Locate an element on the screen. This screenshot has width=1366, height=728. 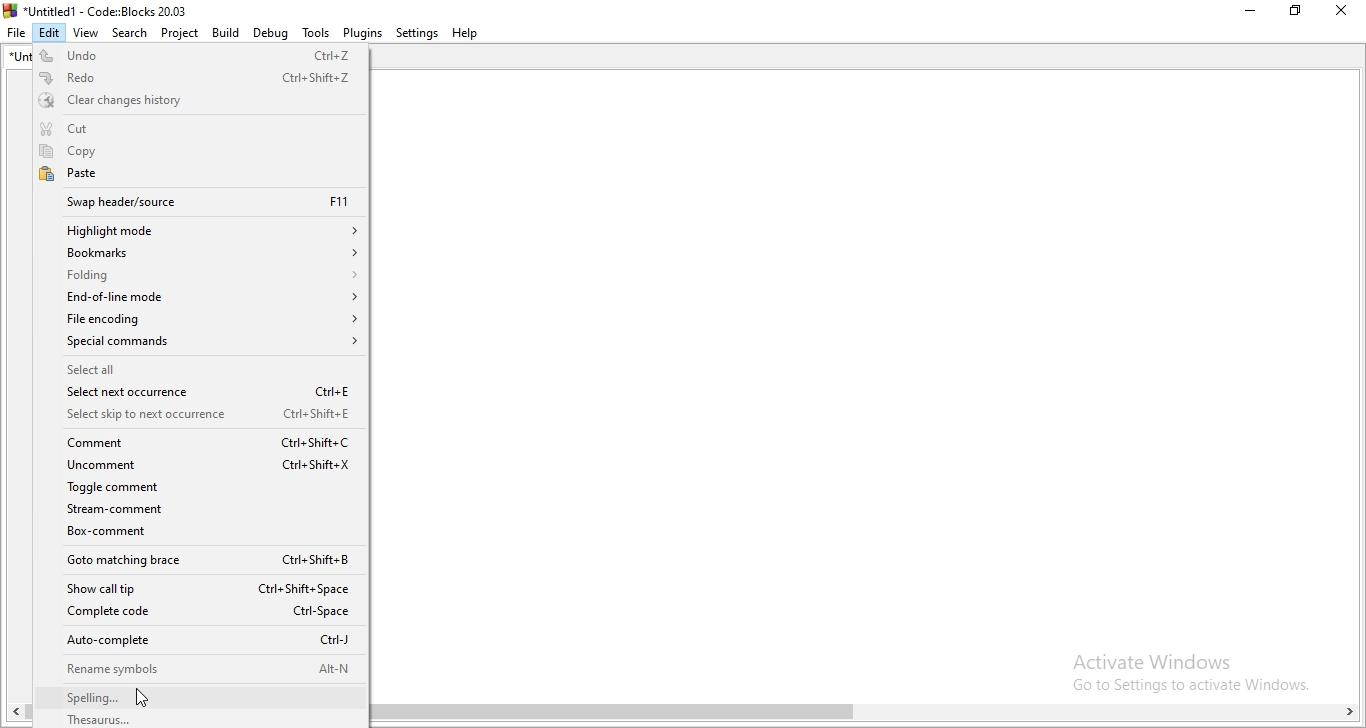
Complete code is located at coordinates (199, 615).